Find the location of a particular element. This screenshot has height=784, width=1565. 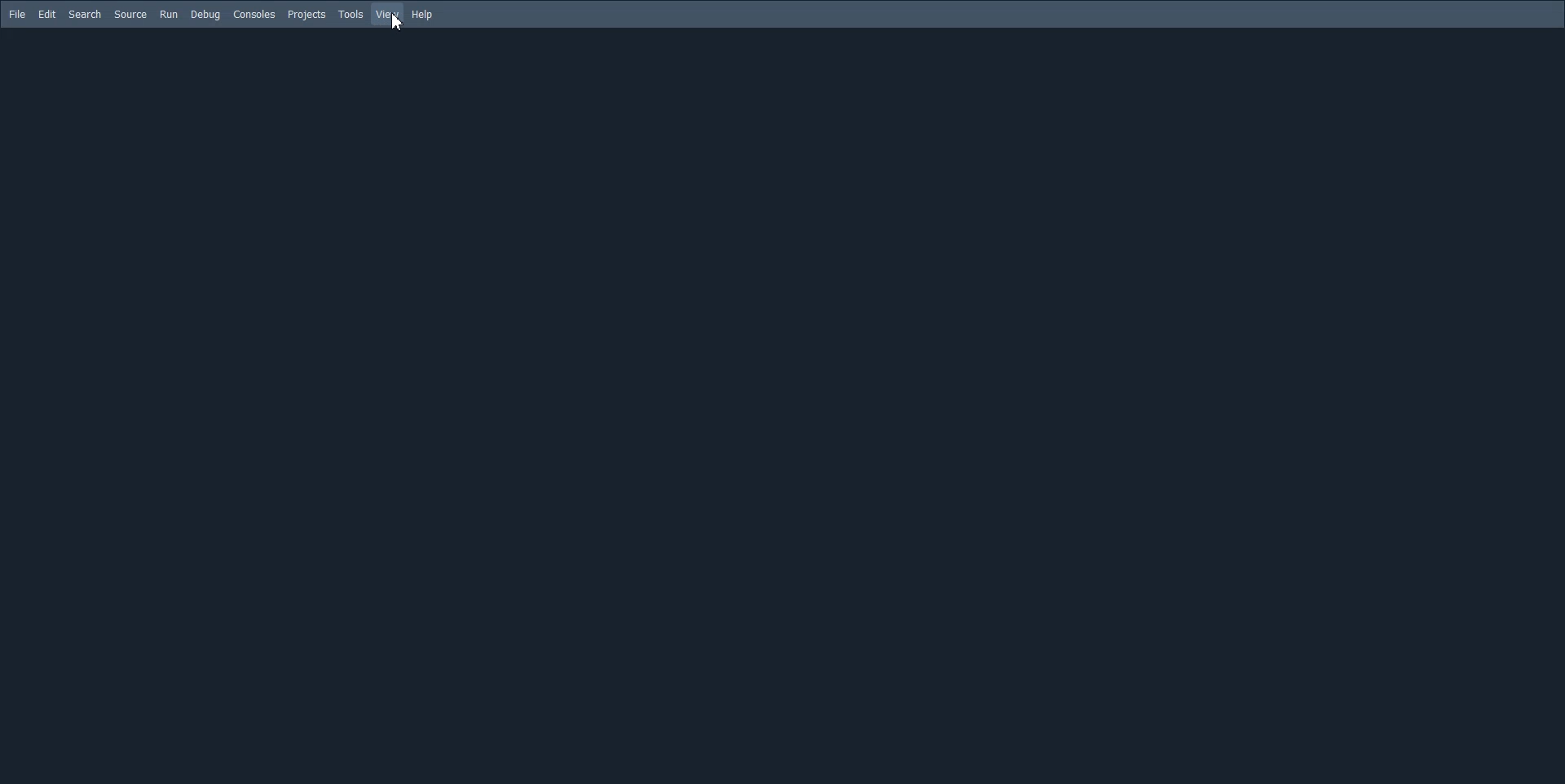

Debug is located at coordinates (205, 15).